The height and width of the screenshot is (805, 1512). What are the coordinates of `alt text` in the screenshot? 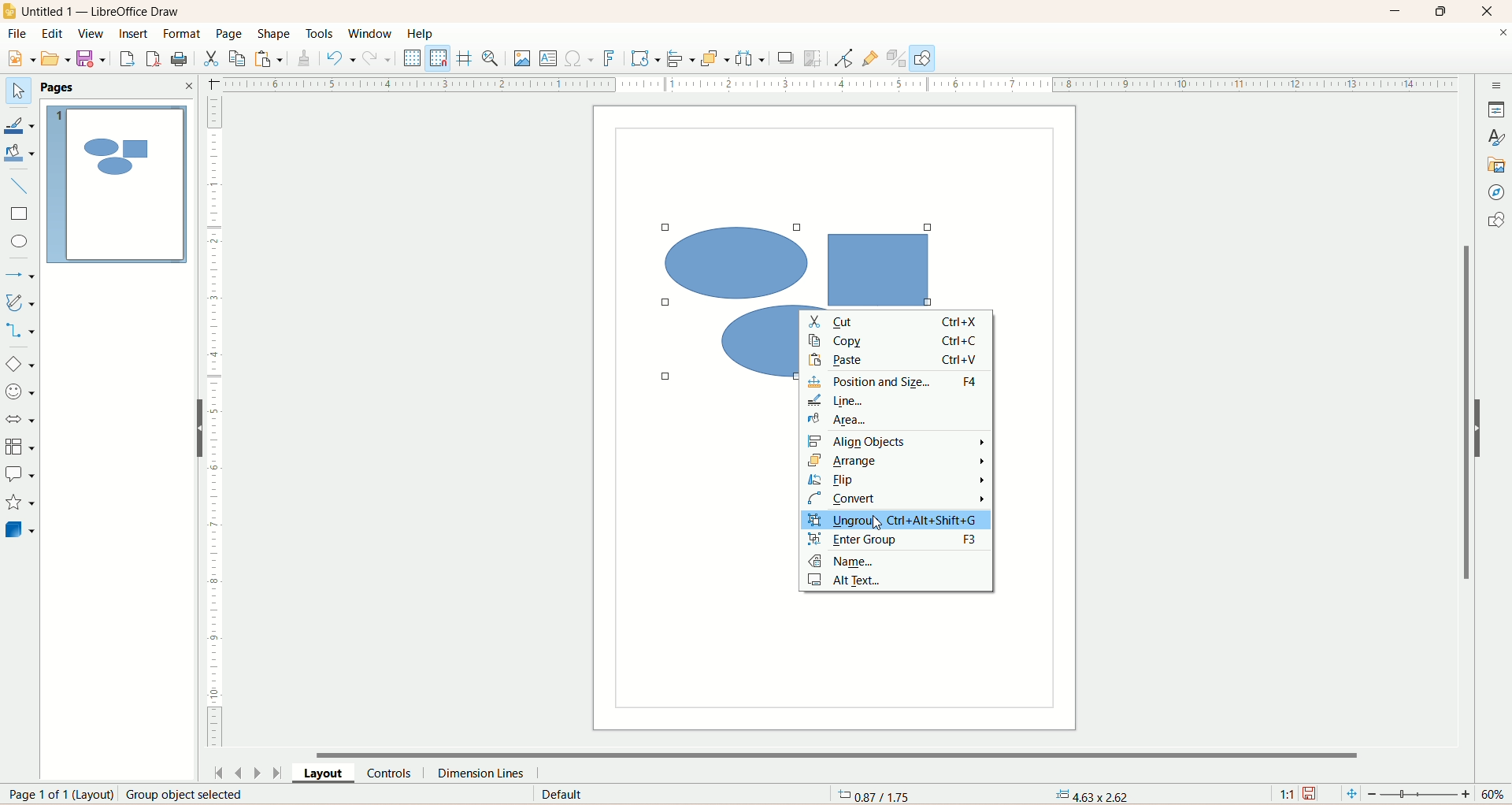 It's located at (852, 581).